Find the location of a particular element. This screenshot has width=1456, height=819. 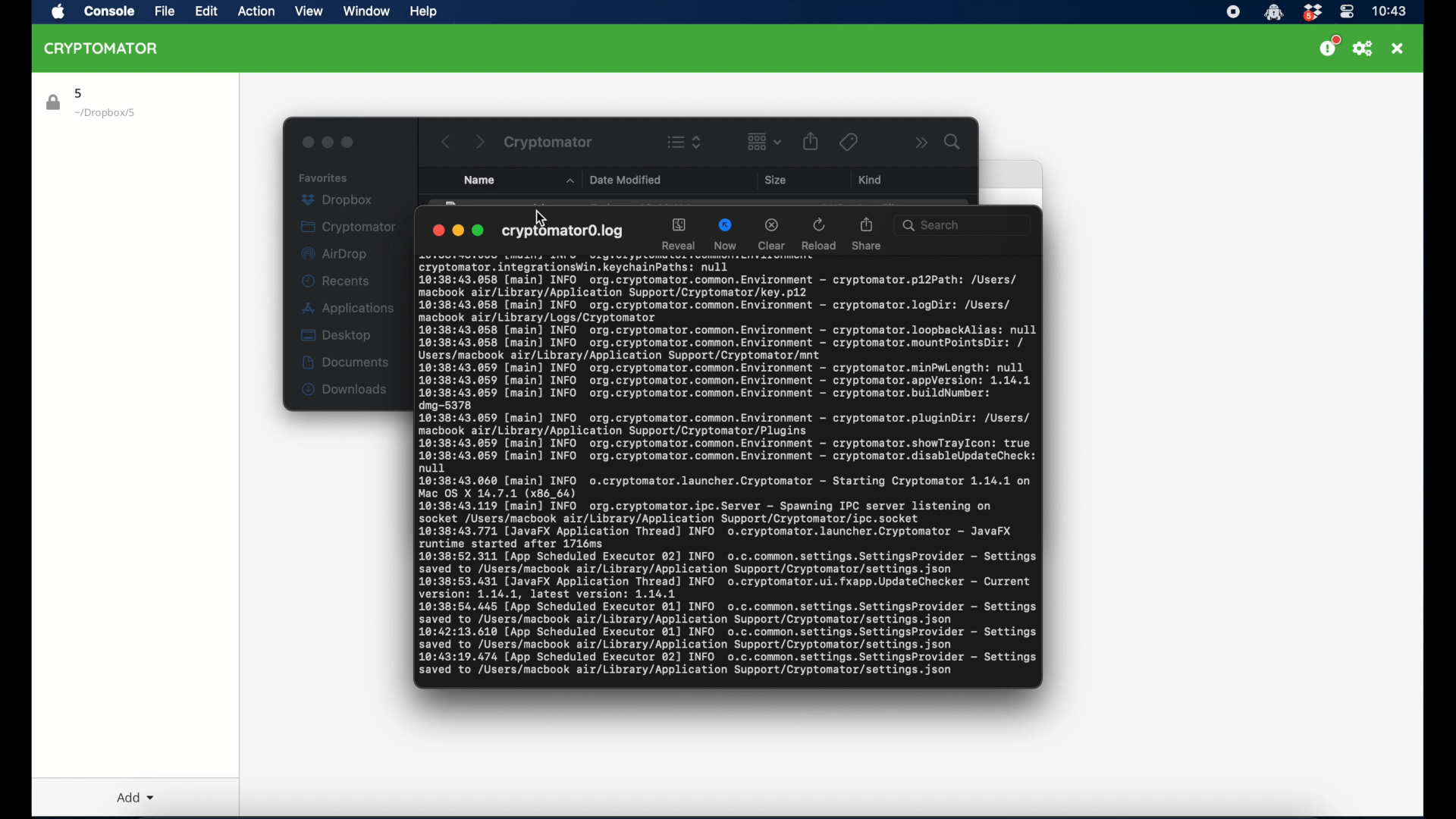

activity log is located at coordinates (728, 472).